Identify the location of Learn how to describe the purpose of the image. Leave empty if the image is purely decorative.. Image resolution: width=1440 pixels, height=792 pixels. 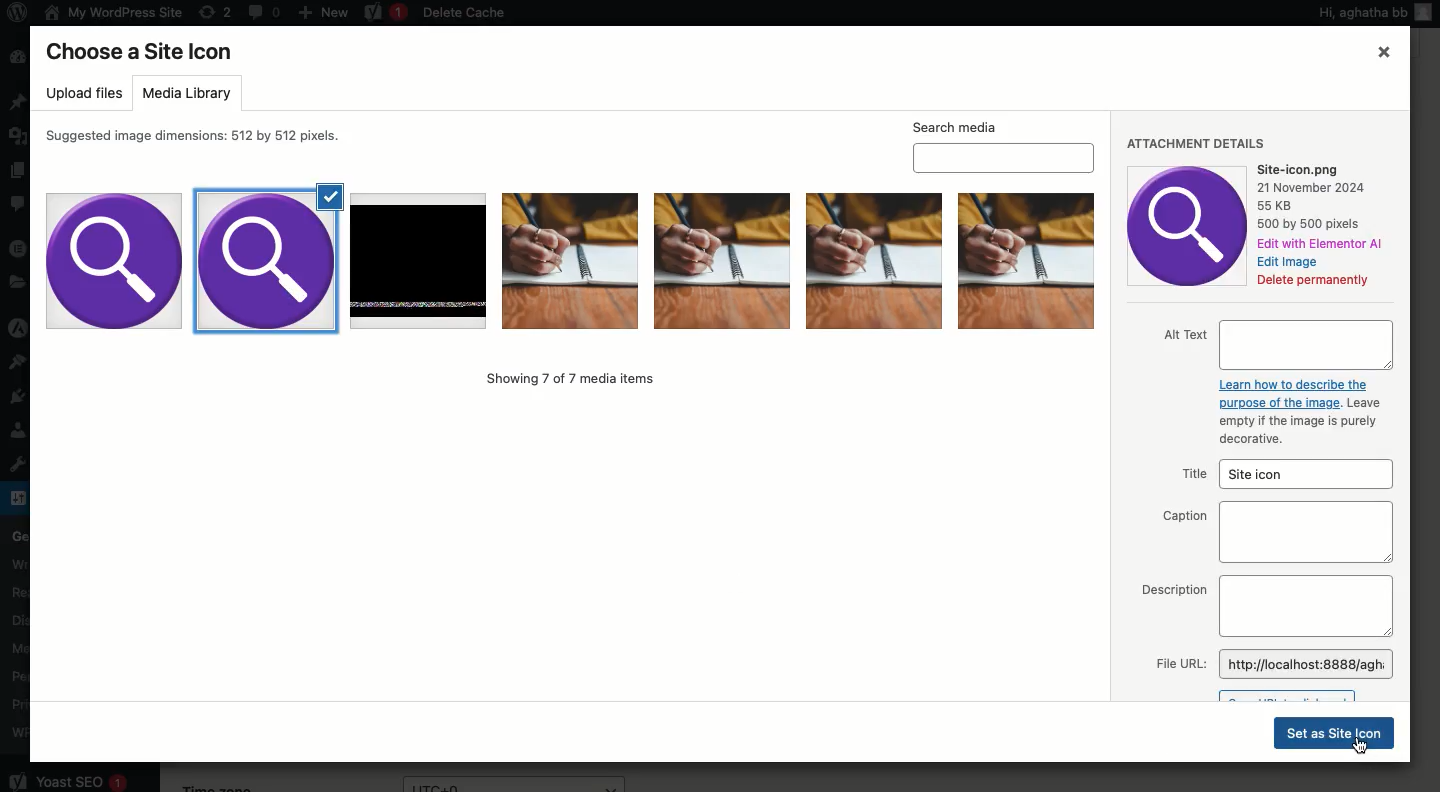
(1287, 412).